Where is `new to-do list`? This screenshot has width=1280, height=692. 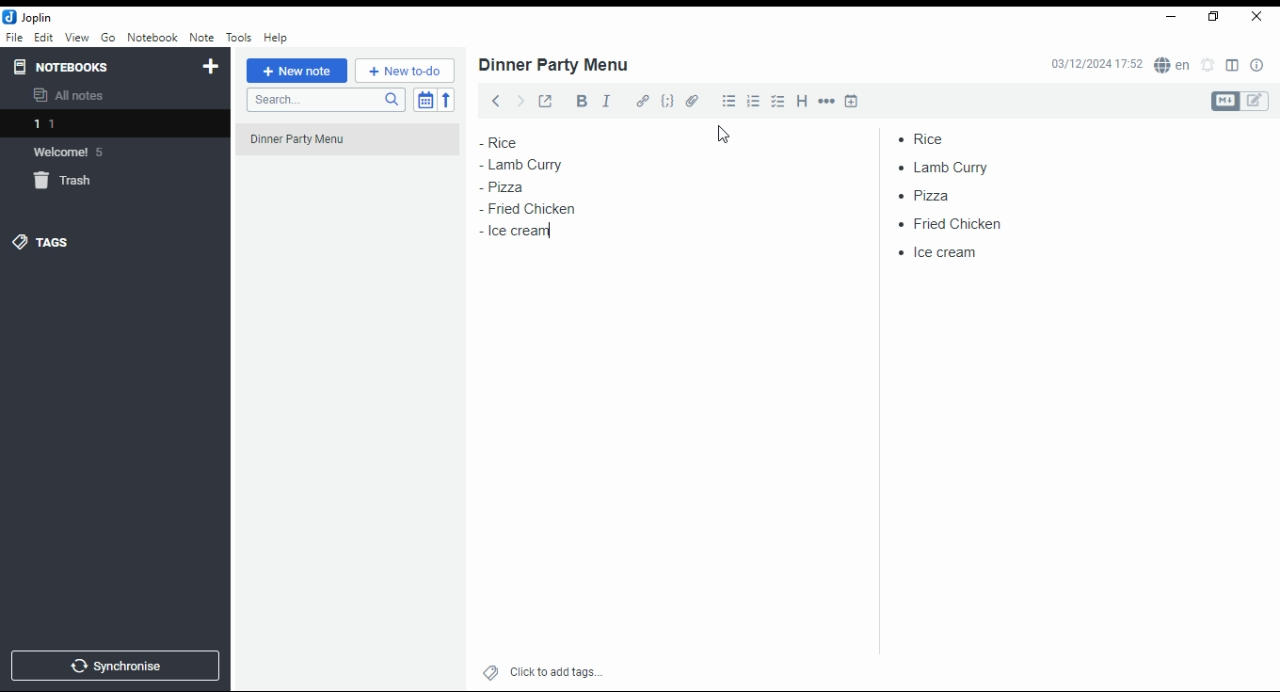
new to-do list is located at coordinates (405, 71).